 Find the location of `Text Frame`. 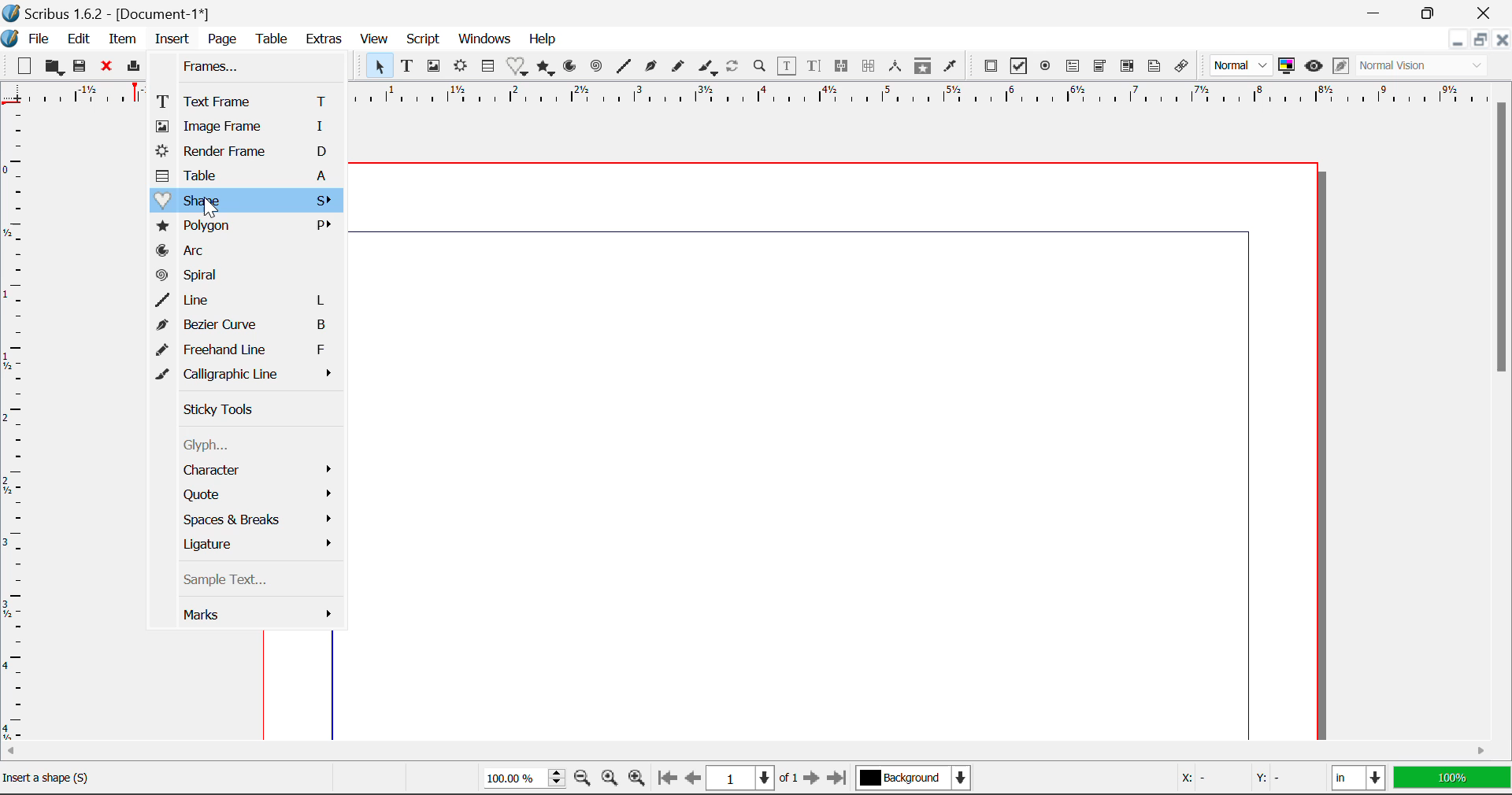

Text Frame is located at coordinates (245, 101).